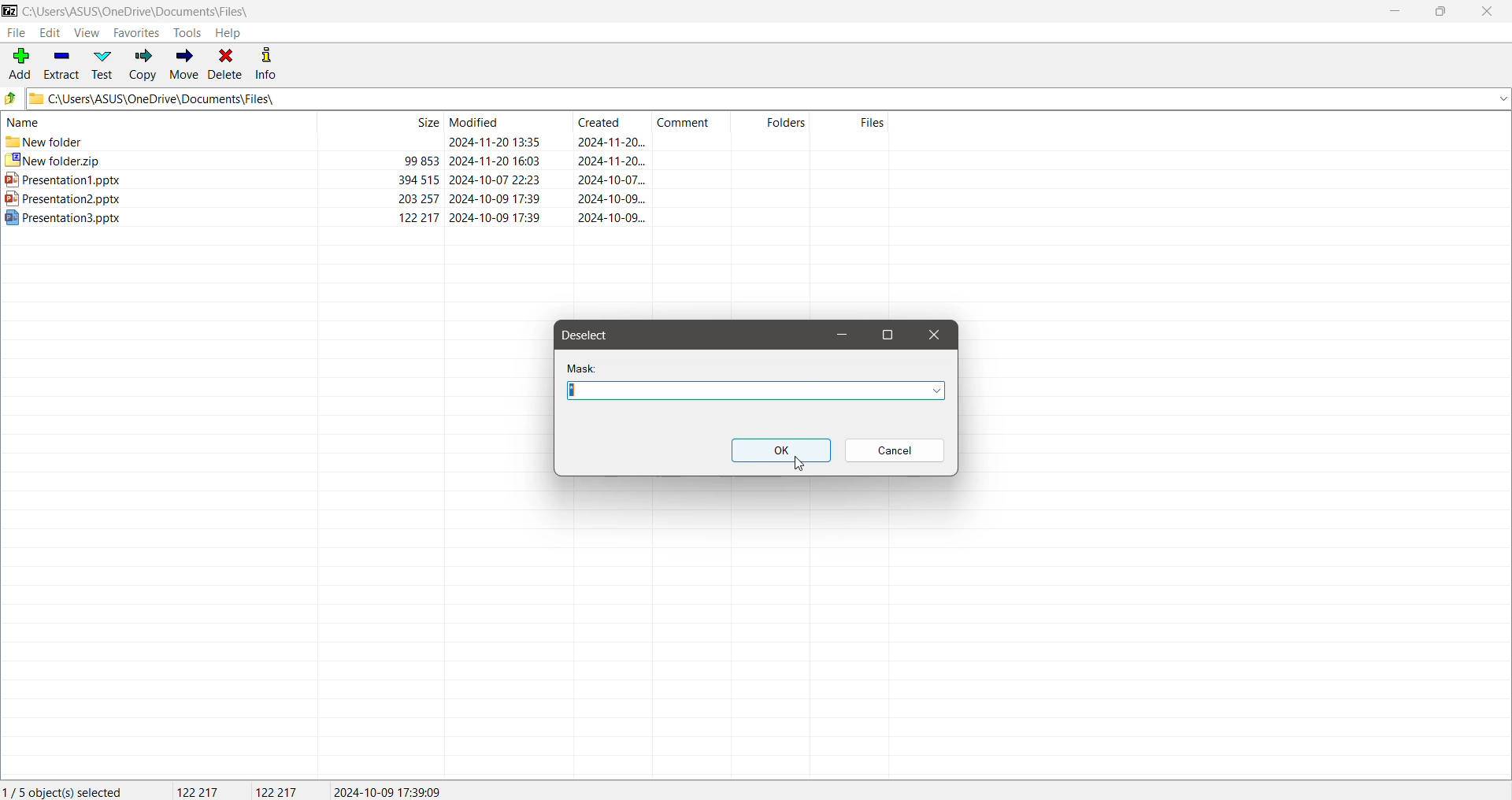 This screenshot has width=1512, height=800. What do you see at coordinates (447, 143) in the screenshot?
I see `new folder` at bounding box center [447, 143].